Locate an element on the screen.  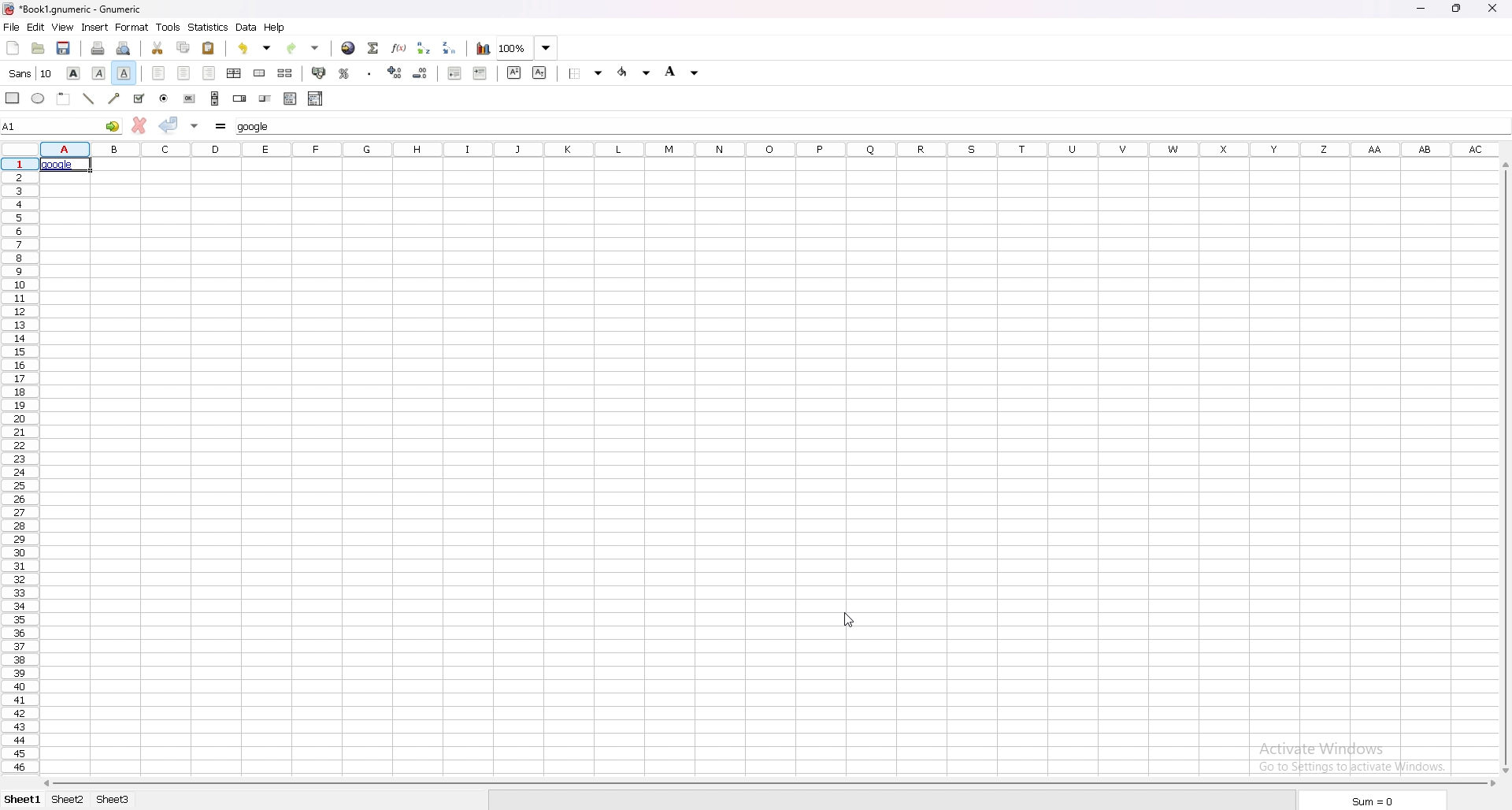
paste is located at coordinates (209, 49).